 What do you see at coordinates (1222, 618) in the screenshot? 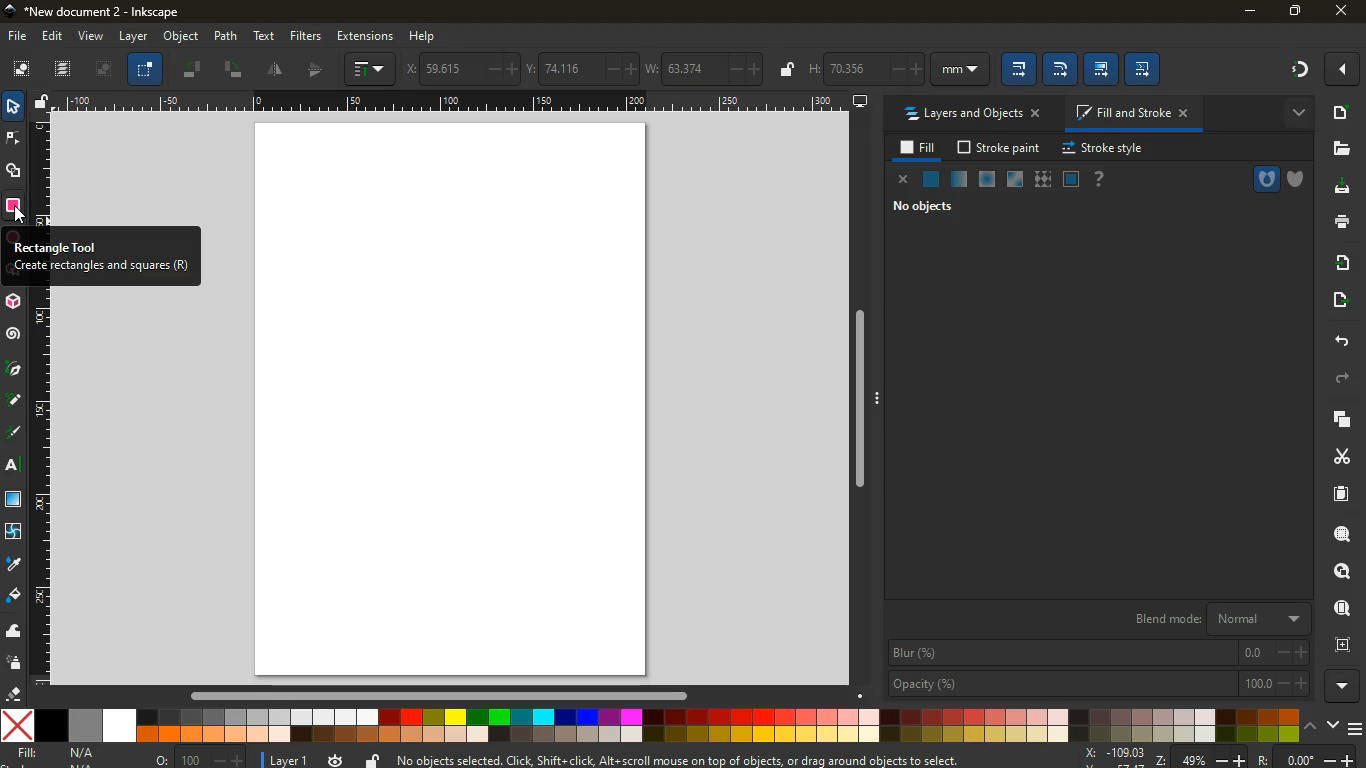
I see `blend mode` at bounding box center [1222, 618].